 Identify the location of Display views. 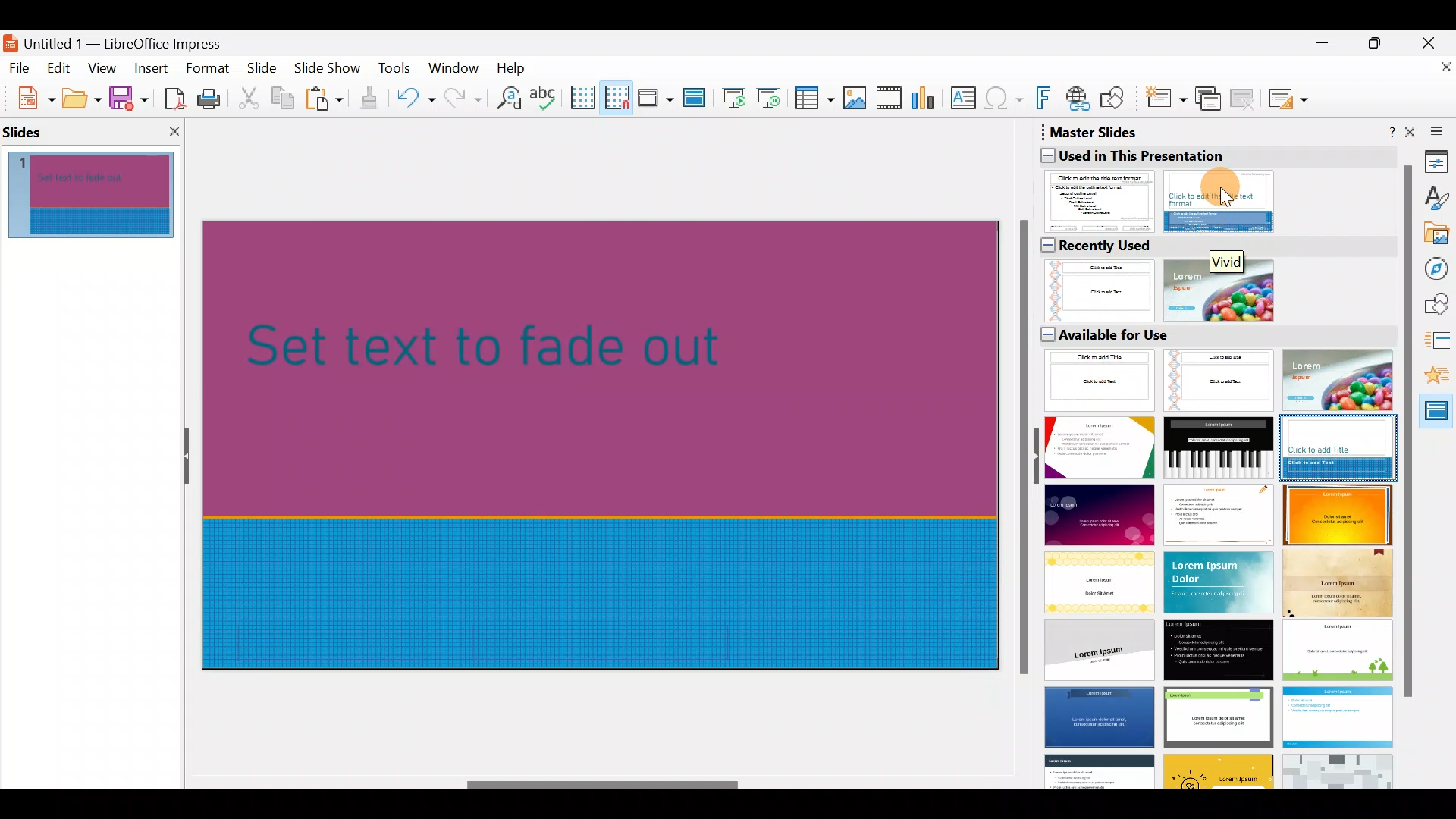
(654, 97).